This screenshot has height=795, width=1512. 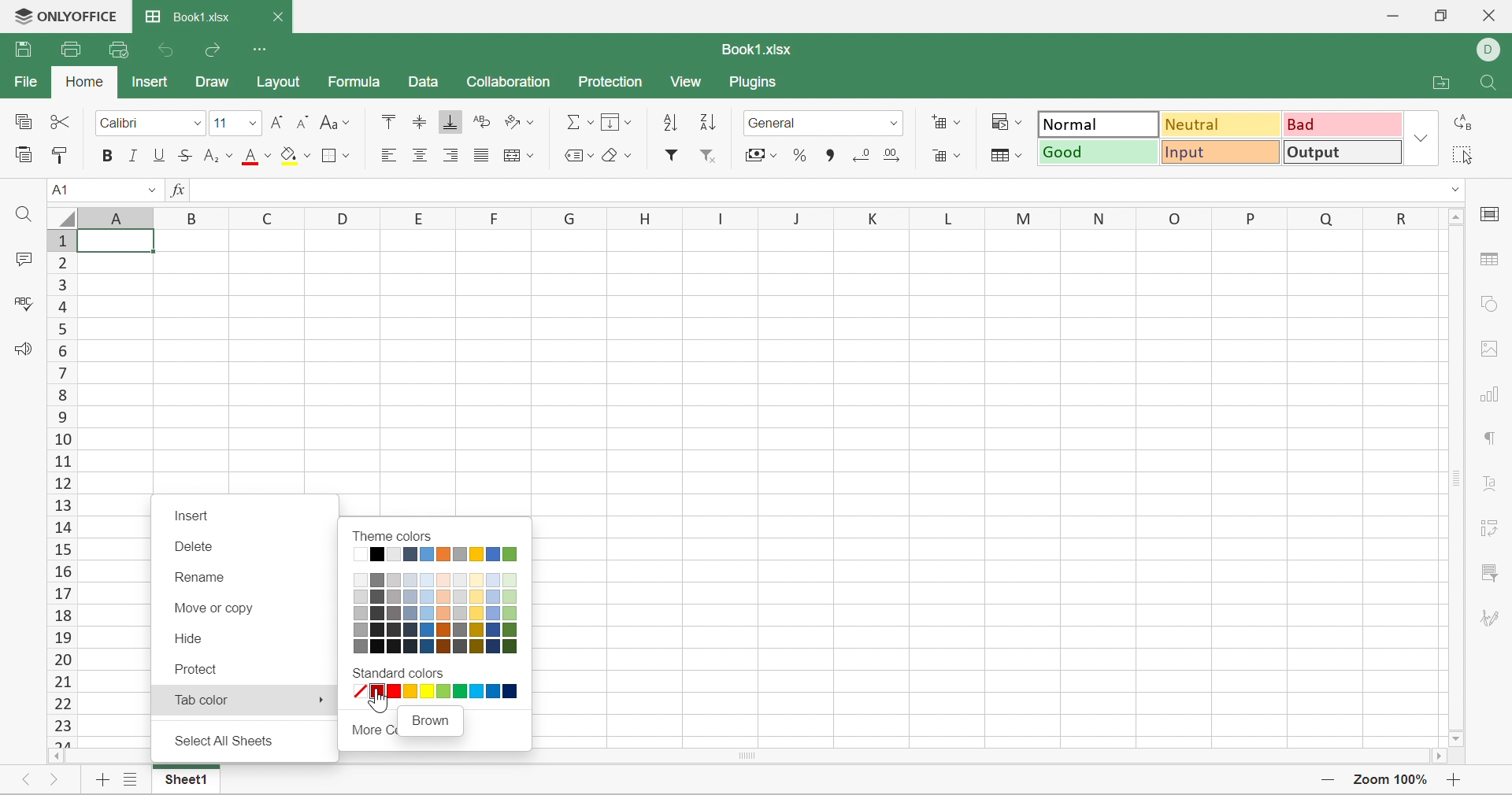 What do you see at coordinates (450, 156) in the screenshot?
I see `Align Right` at bounding box center [450, 156].